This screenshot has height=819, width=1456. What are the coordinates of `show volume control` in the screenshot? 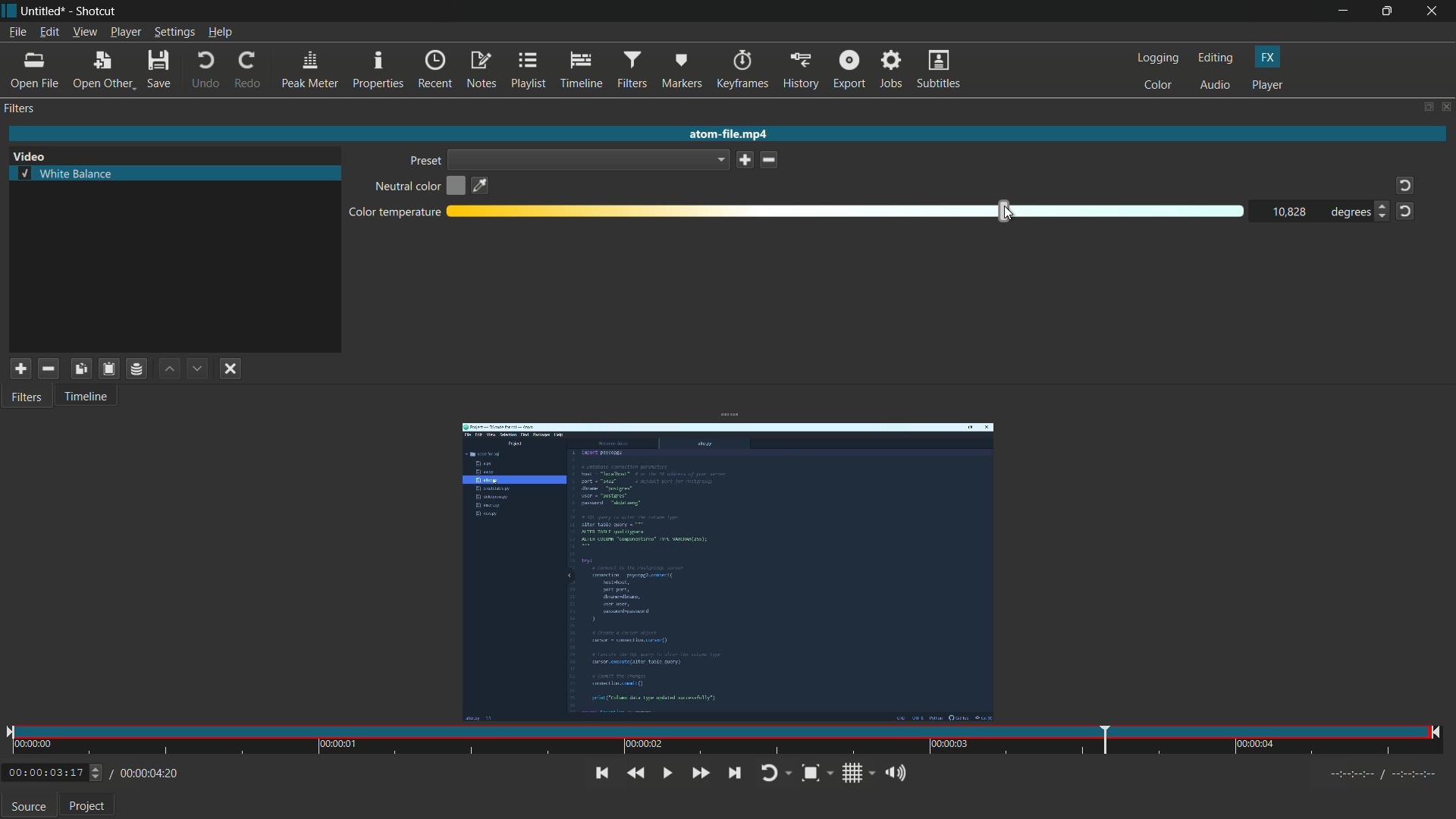 It's located at (899, 772).